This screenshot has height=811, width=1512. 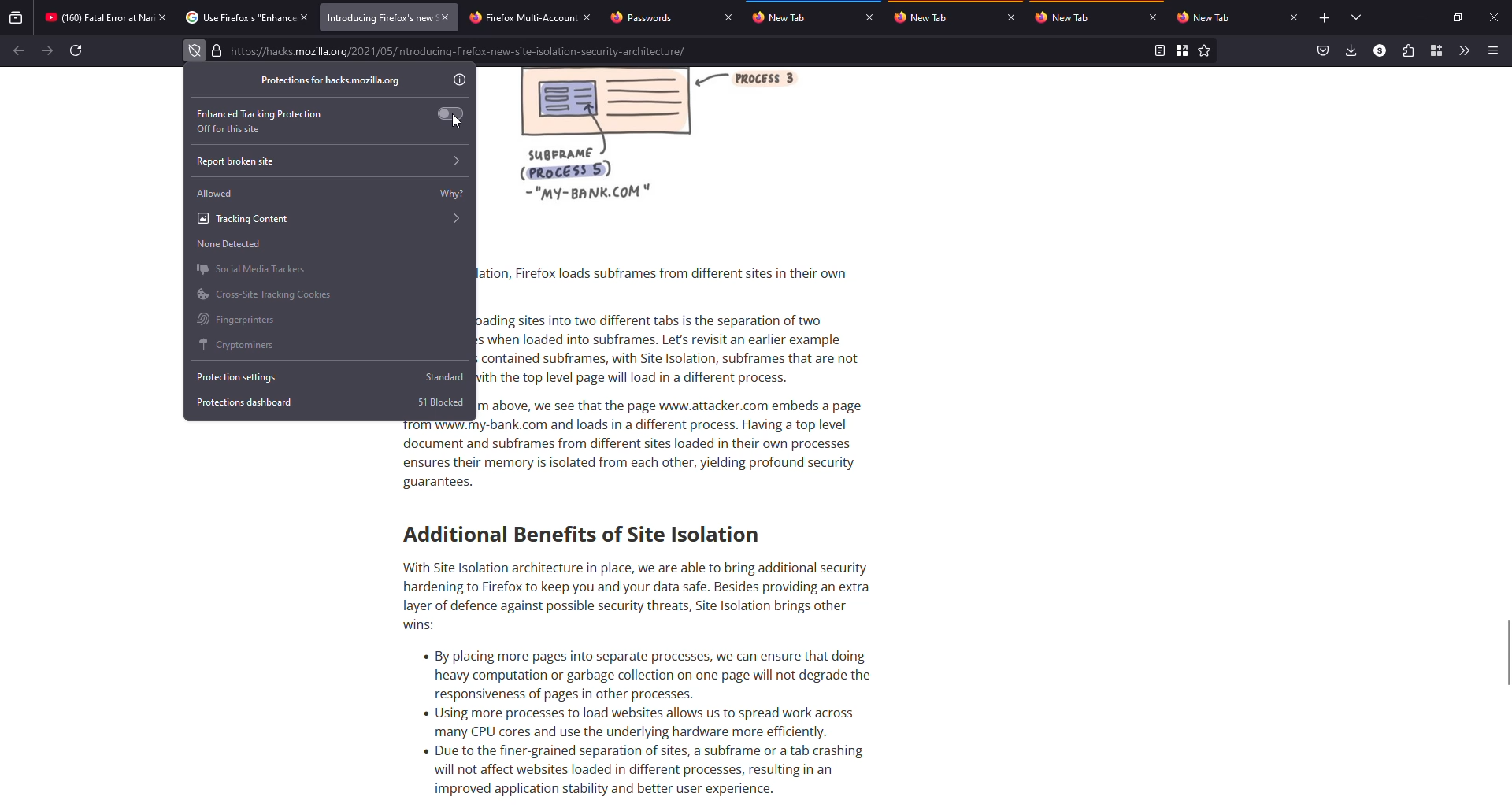 What do you see at coordinates (246, 402) in the screenshot?
I see `protections dashboard` at bounding box center [246, 402].